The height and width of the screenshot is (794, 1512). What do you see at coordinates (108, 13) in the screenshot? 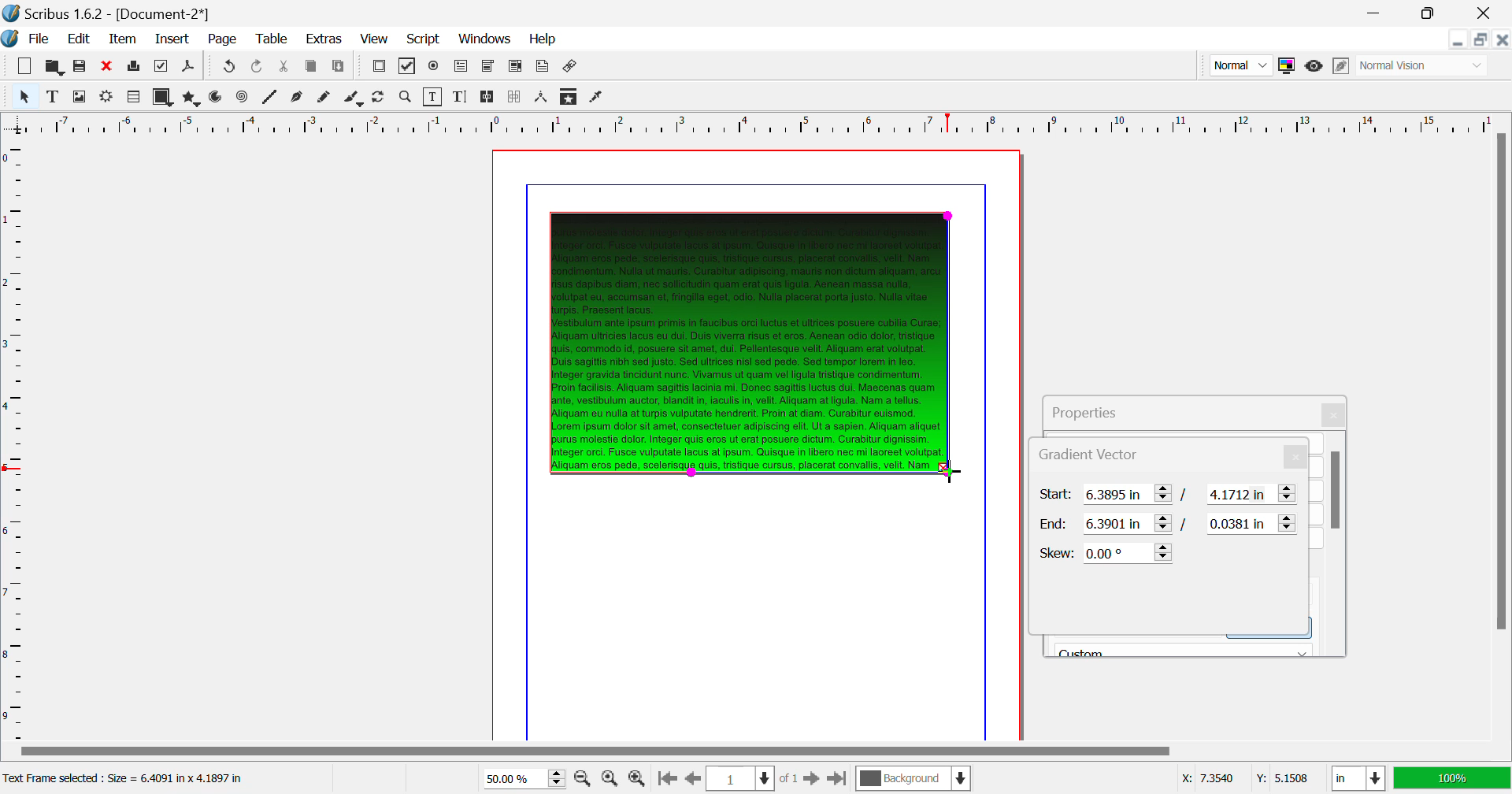
I see `Scribus 1.62 - [Document-2*]` at bounding box center [108, 13].